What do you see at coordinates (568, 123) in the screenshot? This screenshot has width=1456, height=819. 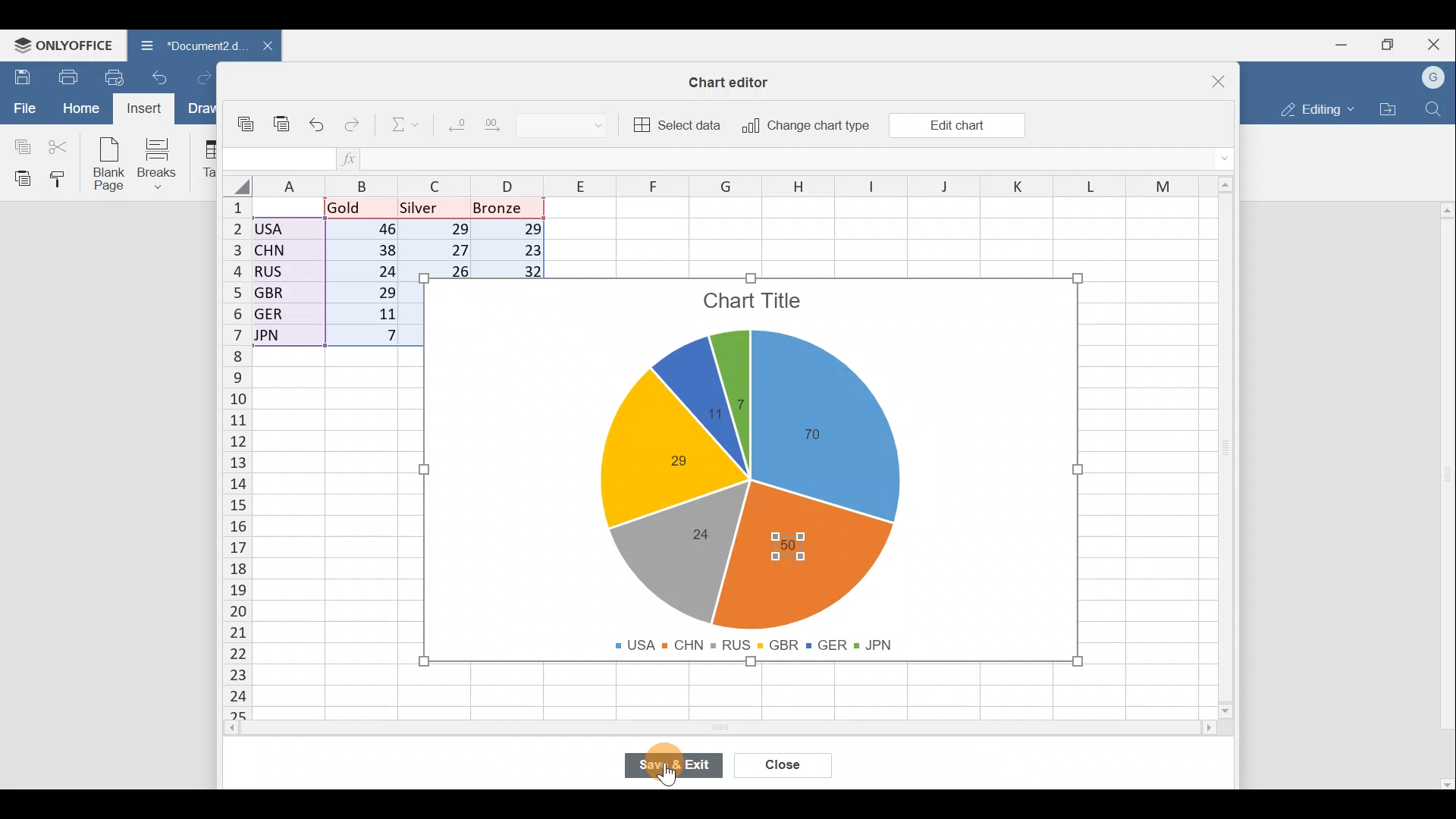 I see `Number format` at bounding box center [568, 123].